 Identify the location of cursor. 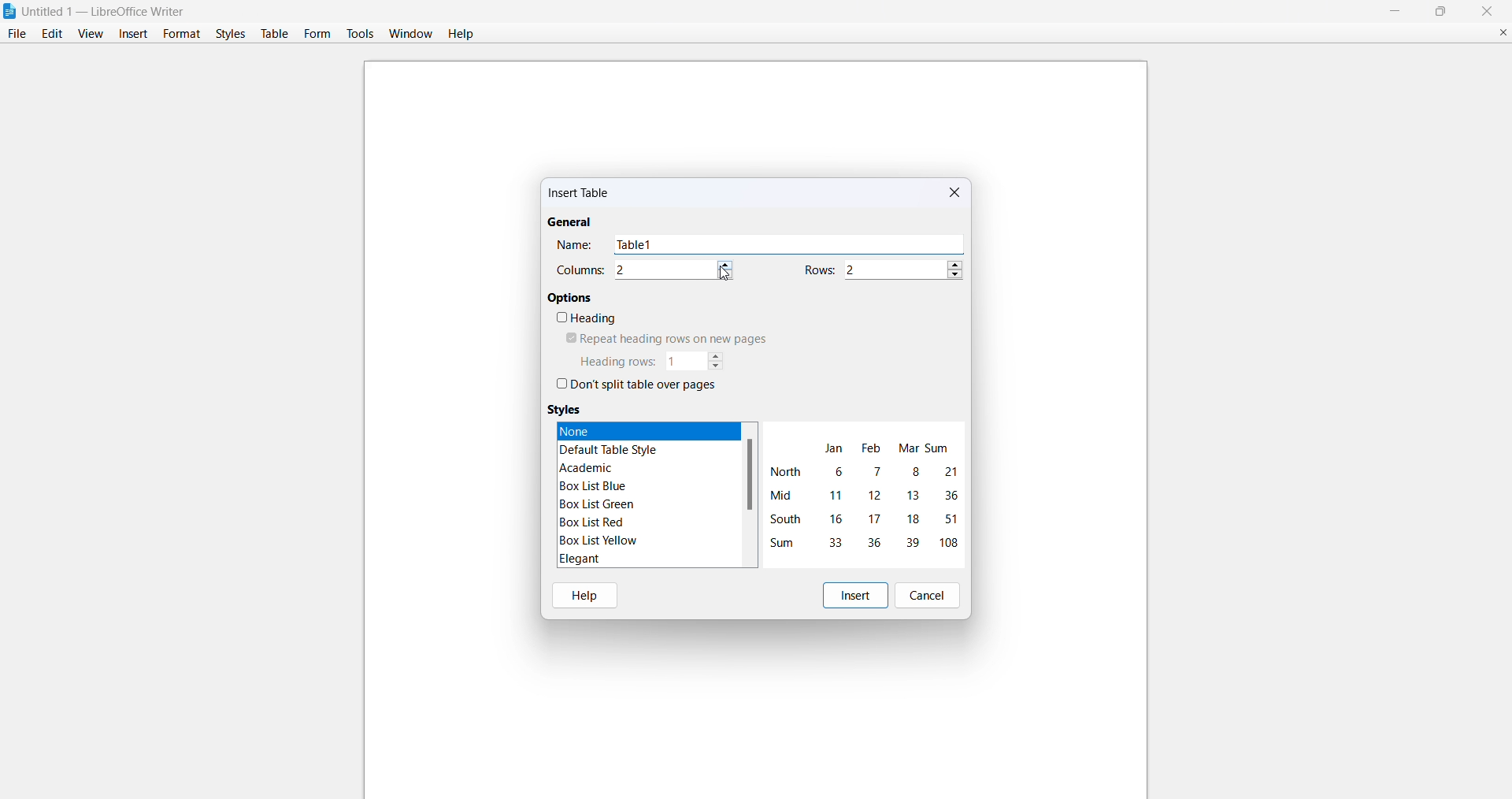
(728, 277).